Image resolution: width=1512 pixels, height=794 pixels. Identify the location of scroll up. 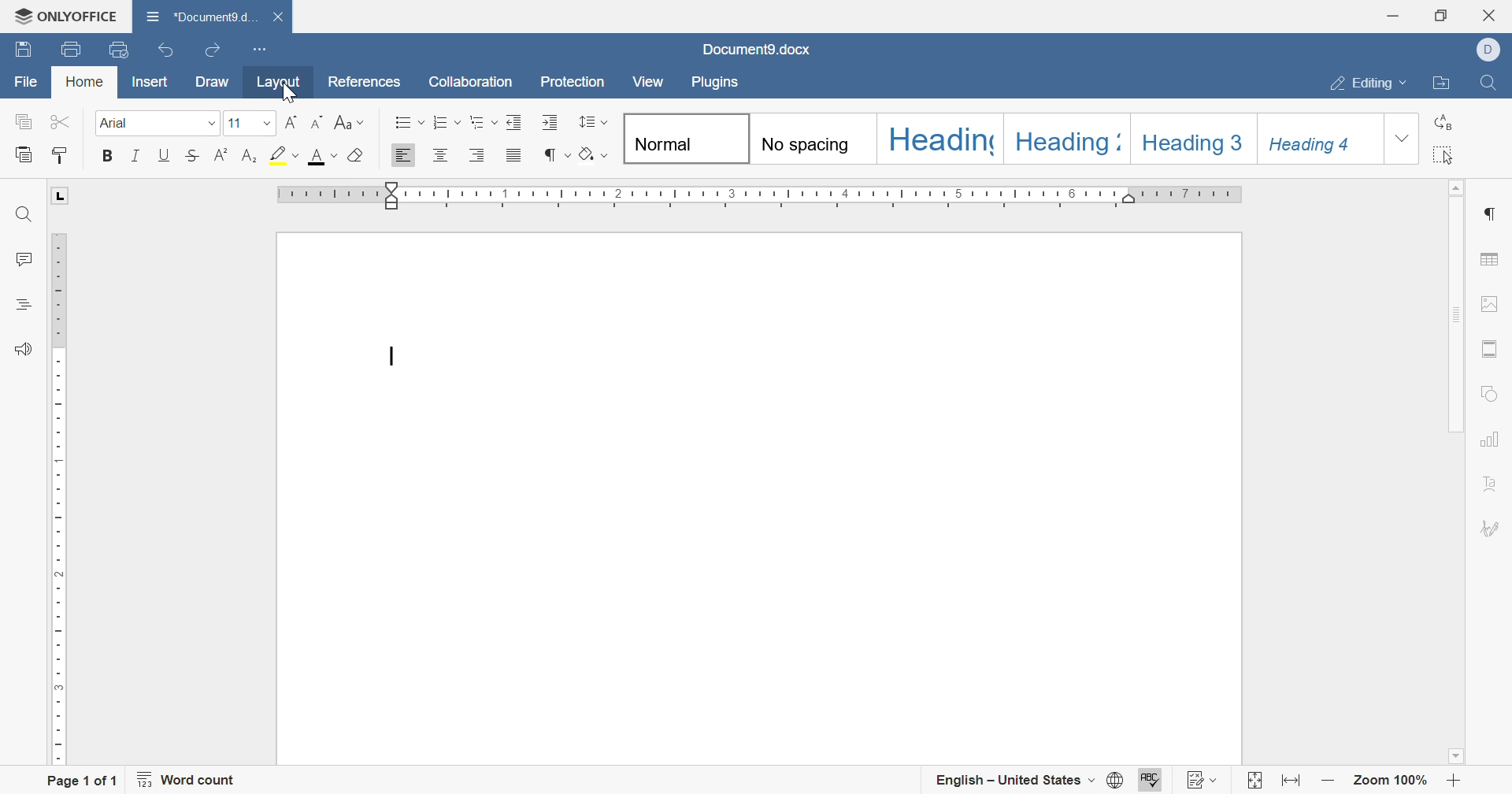
(1451, 187).